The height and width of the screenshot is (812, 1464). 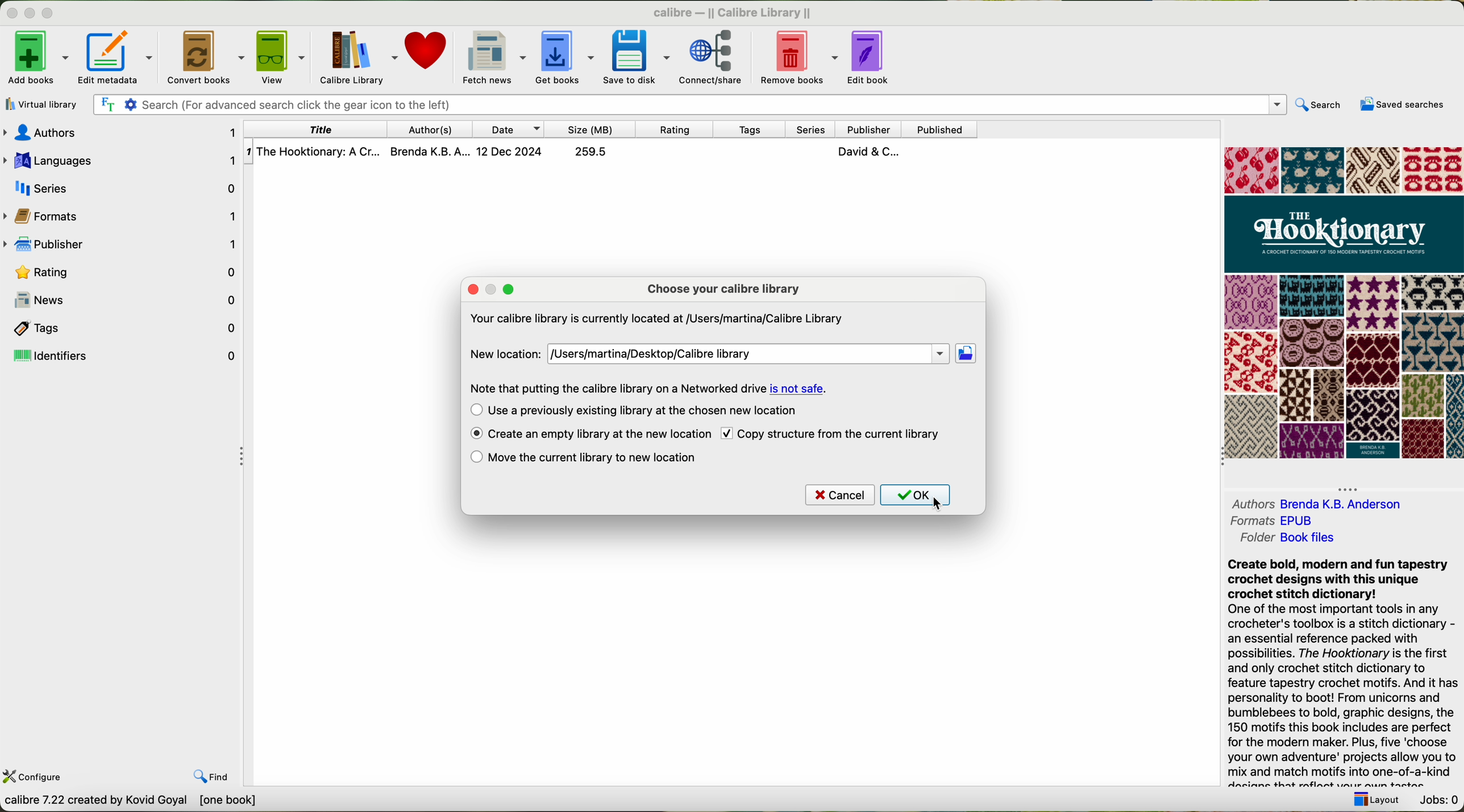 What do you see at coordinates (122, 186) in the screenshot?
I see `series` at bounding box center [122, 186].